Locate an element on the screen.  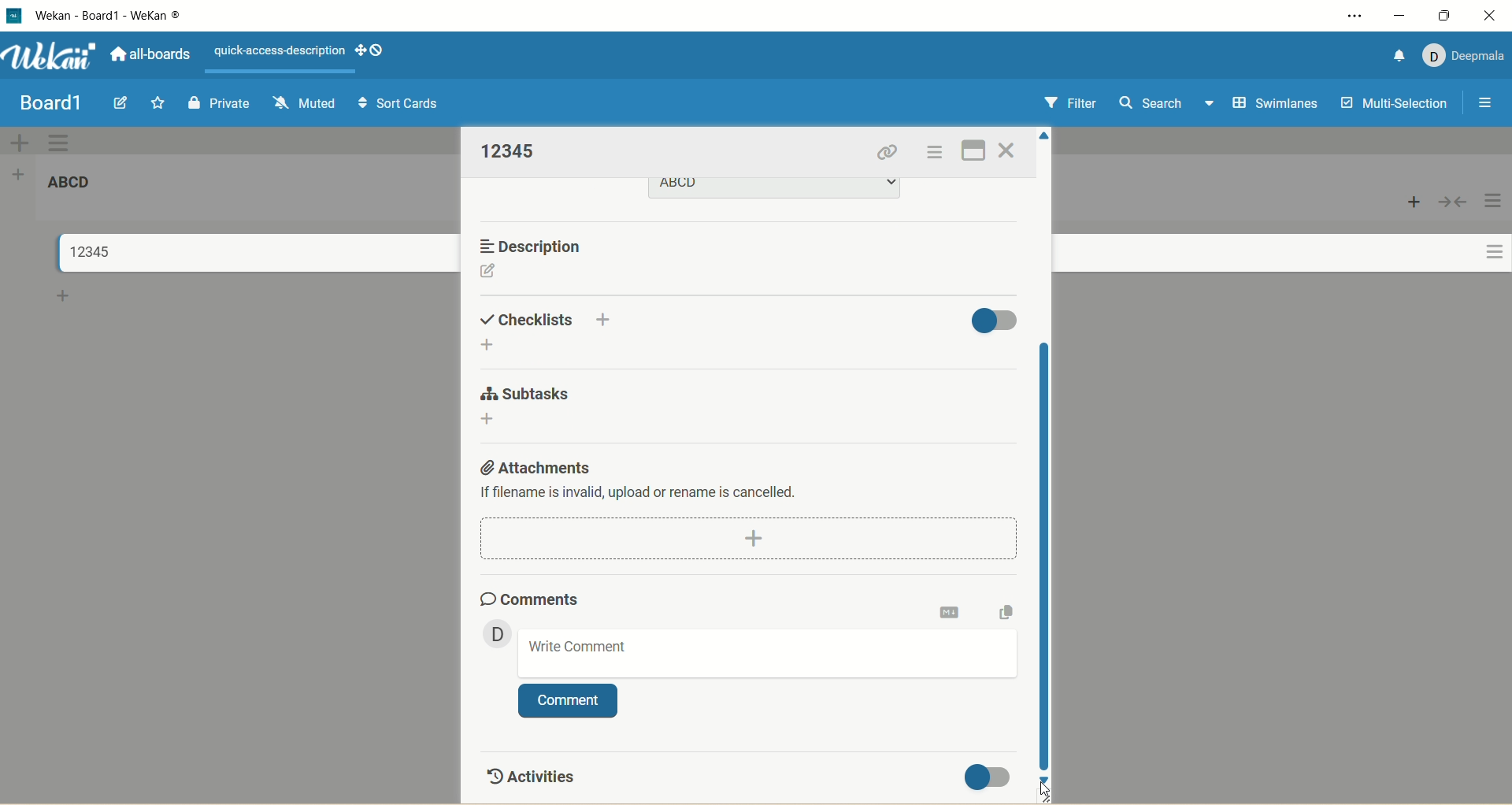
maximize is located at coordinates (1447, 15).